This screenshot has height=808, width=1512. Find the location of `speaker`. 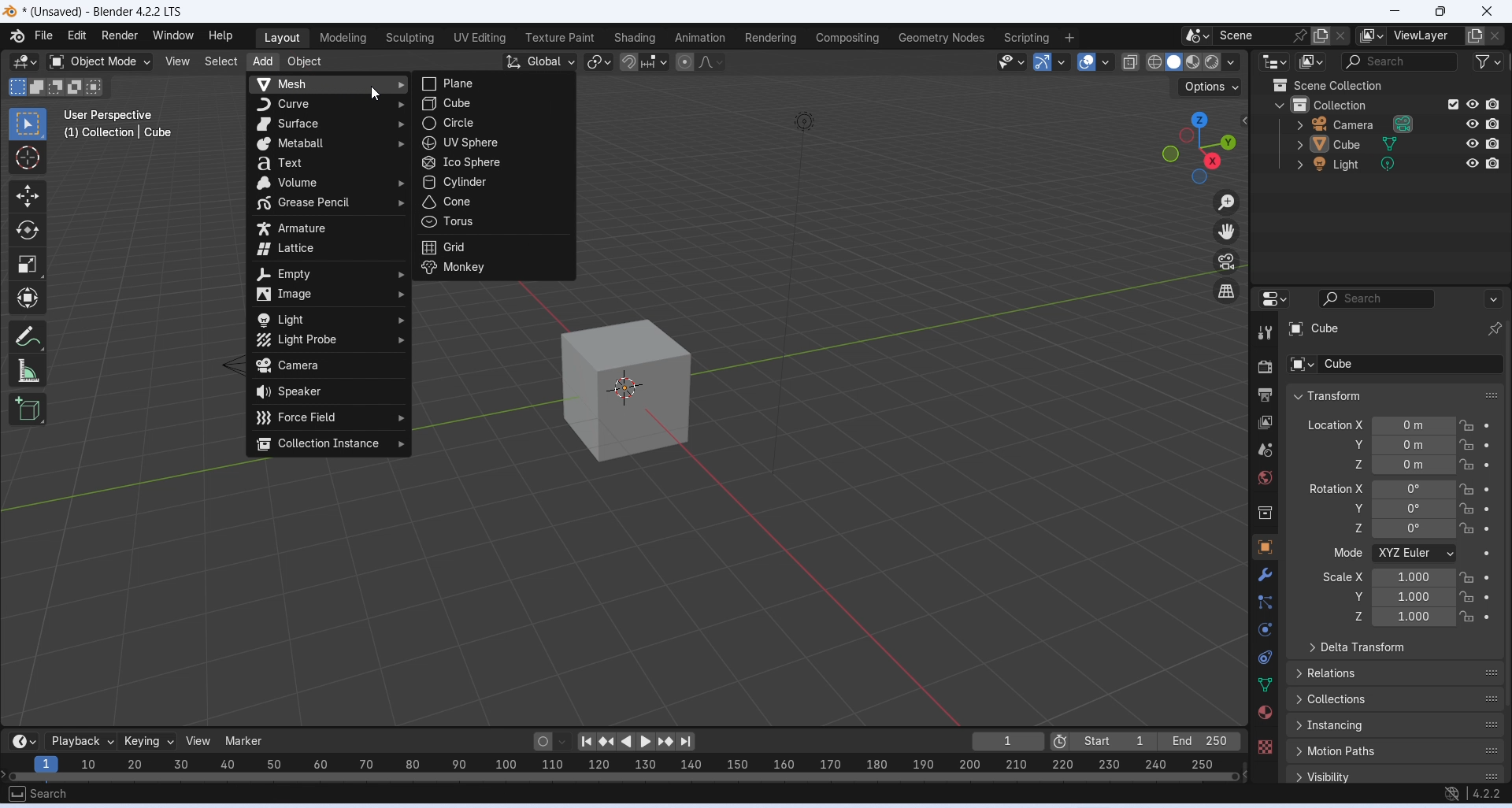

speaker is located at coordinates (328, 391).